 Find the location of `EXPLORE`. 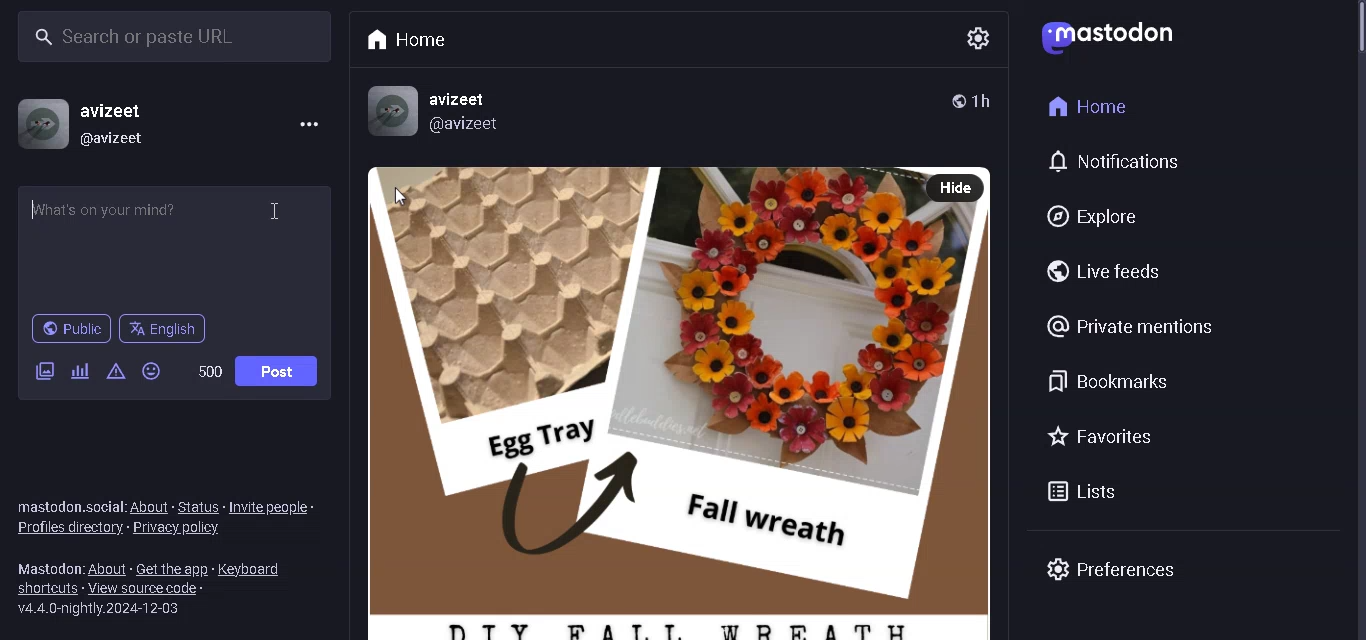

EXPLORE is located at coordinates (1091, 214).